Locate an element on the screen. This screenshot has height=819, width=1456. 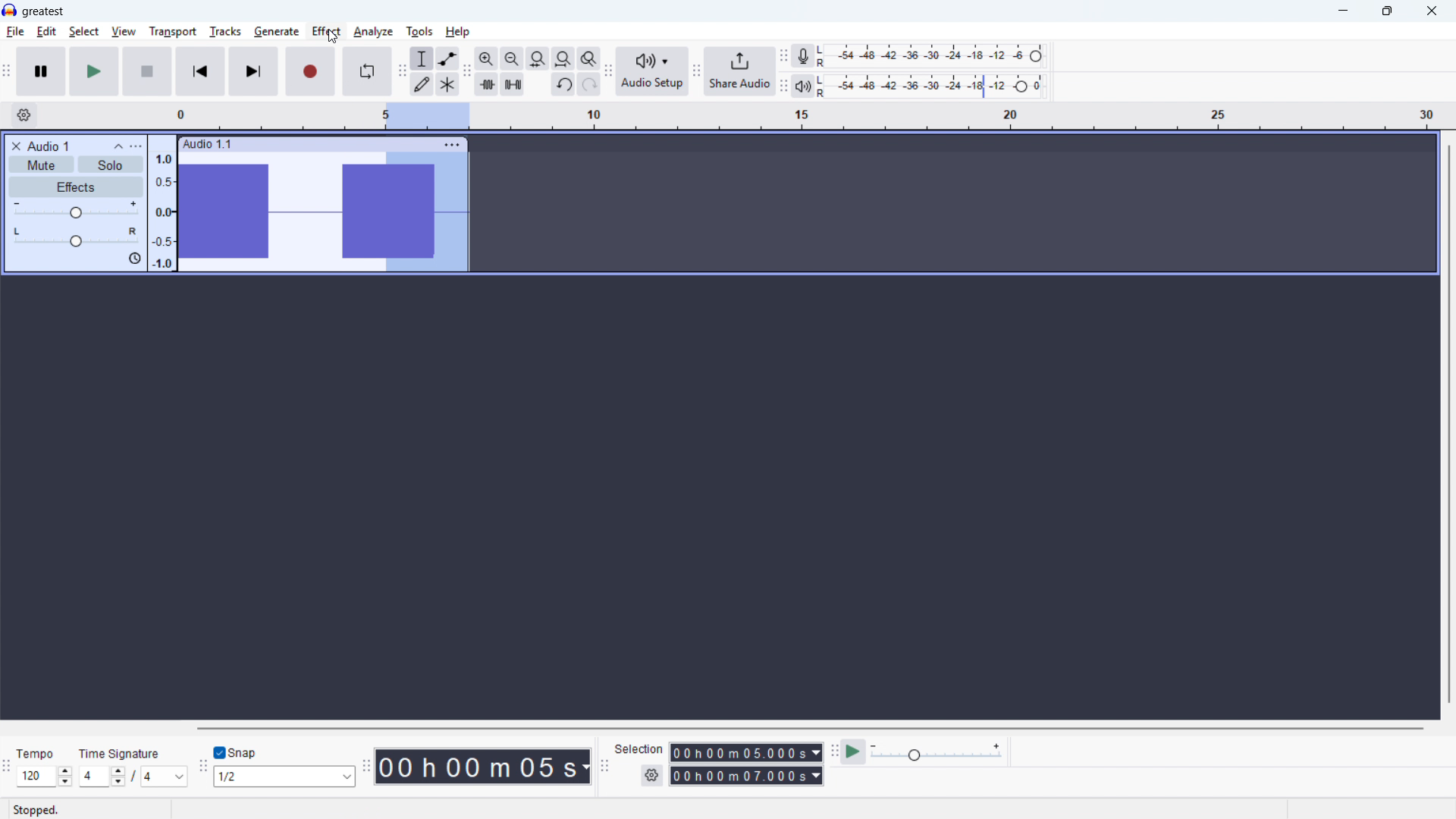
Pan: Centre is located at coordinates (76, 237).